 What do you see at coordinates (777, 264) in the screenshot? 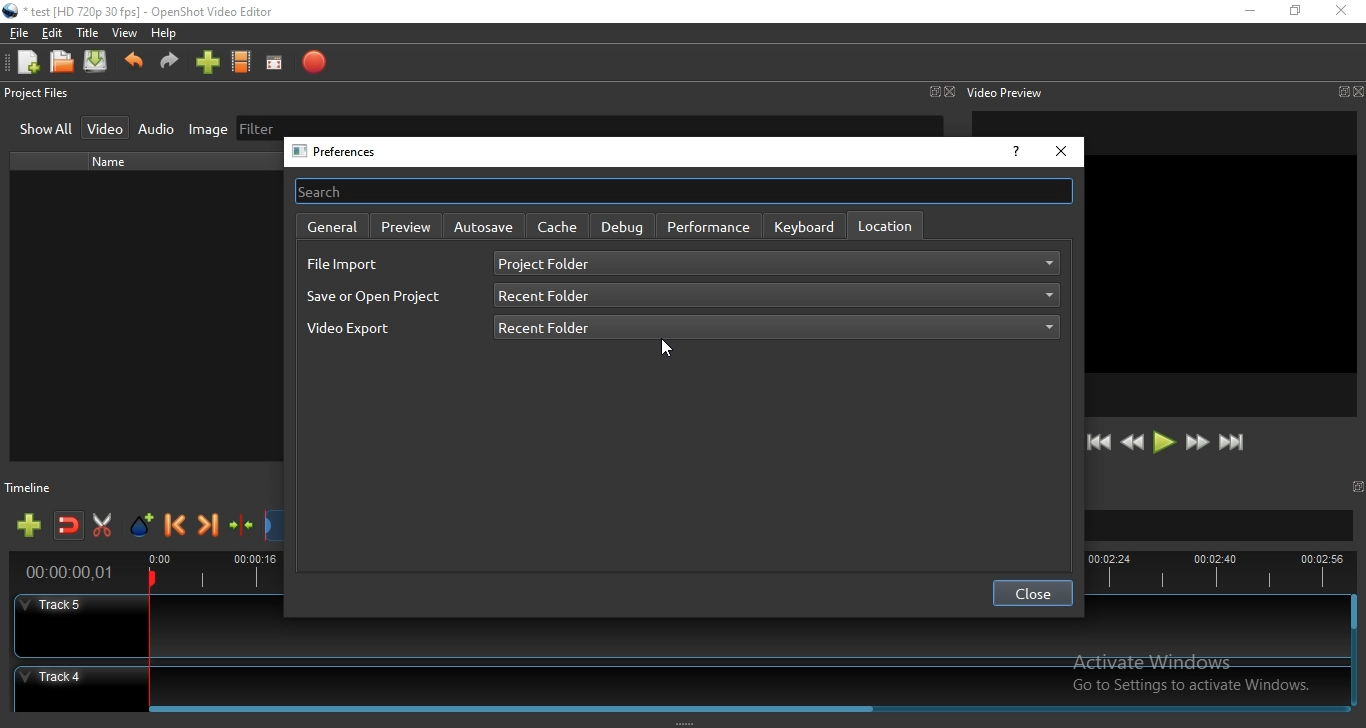
I see `project folder` at bounding box center [777, 264].